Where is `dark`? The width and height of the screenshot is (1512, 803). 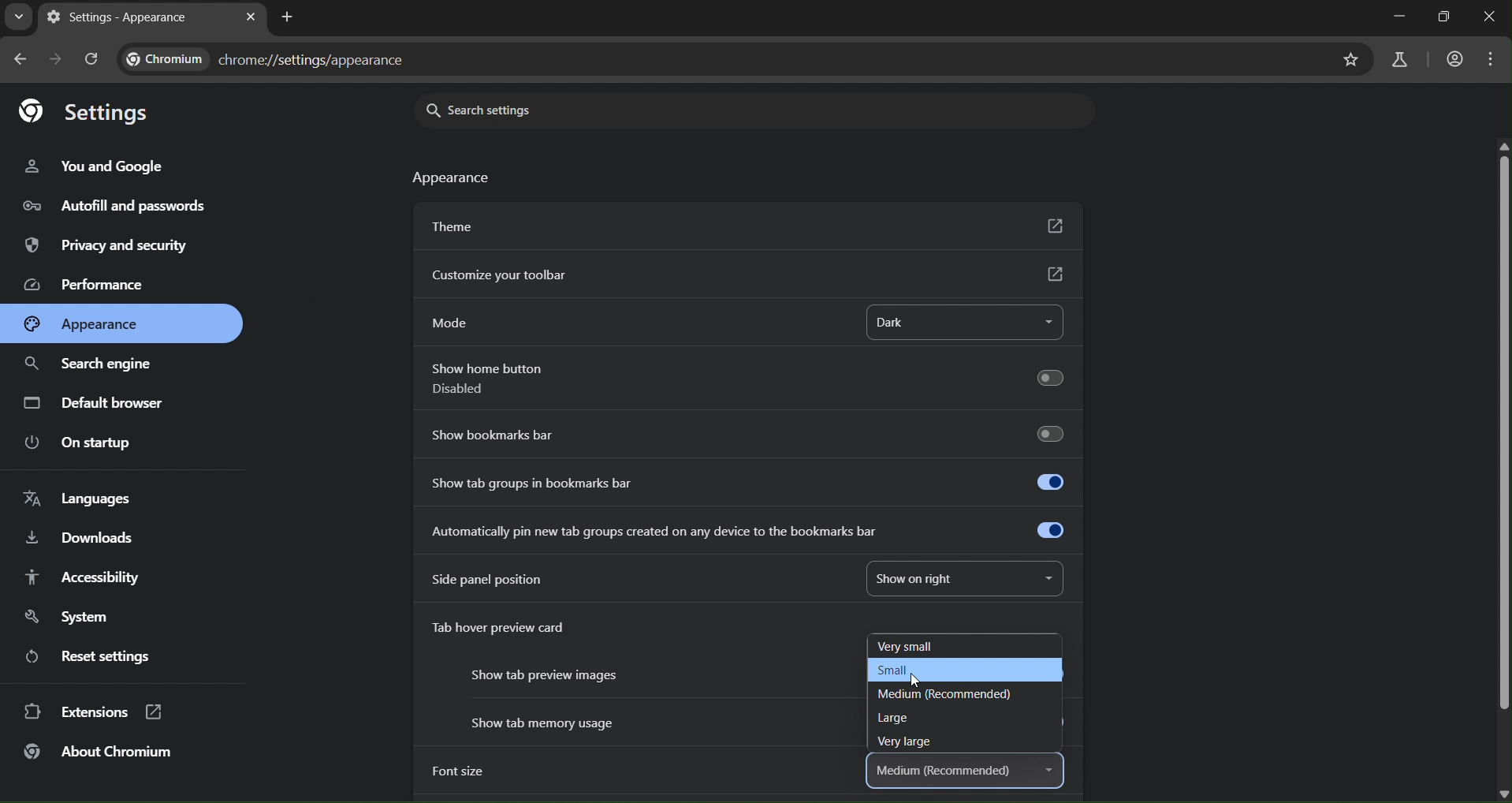 dark is located at coordinates (938, 319).